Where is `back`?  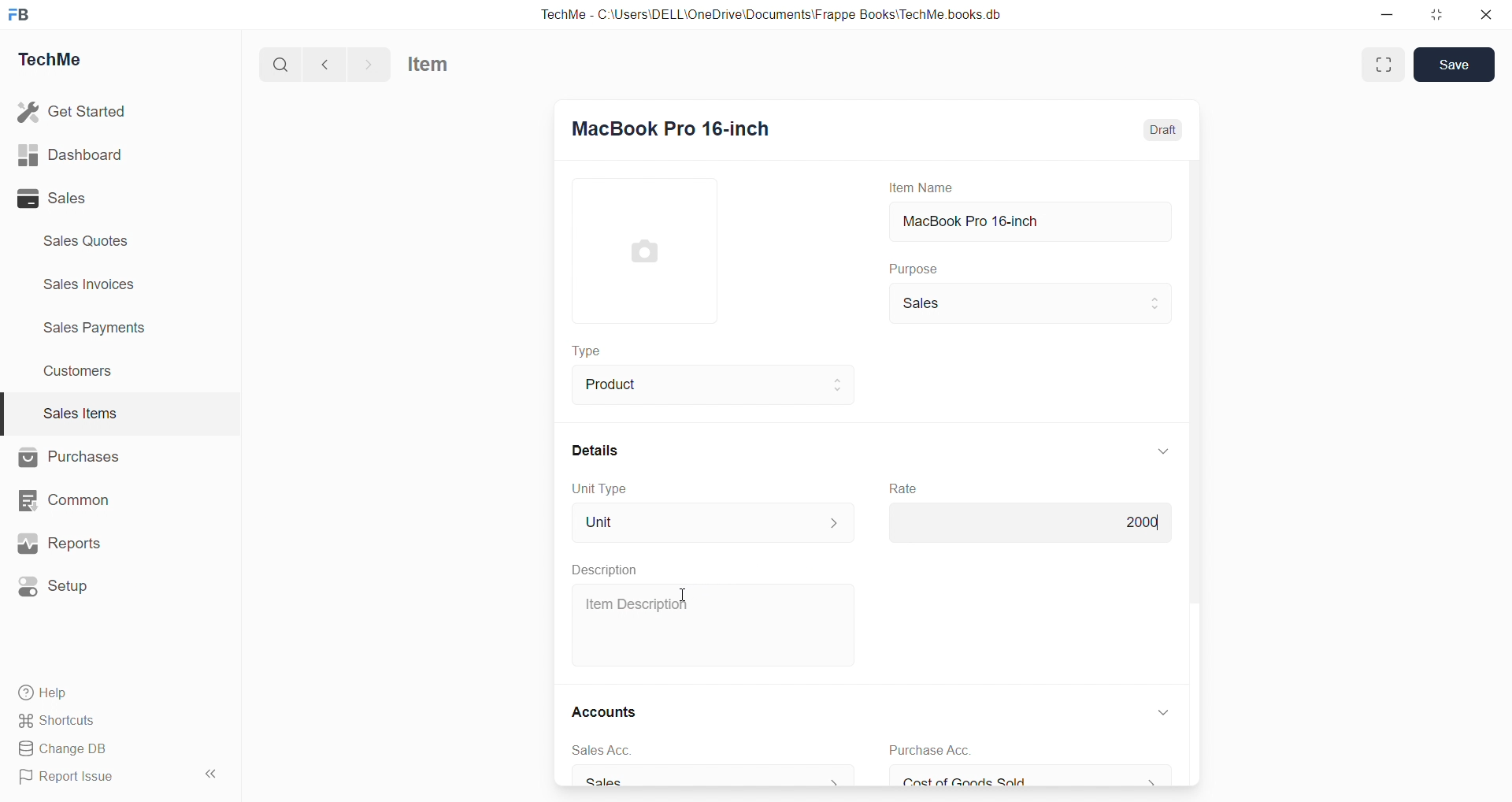
back is located at coordinates (326, 64).